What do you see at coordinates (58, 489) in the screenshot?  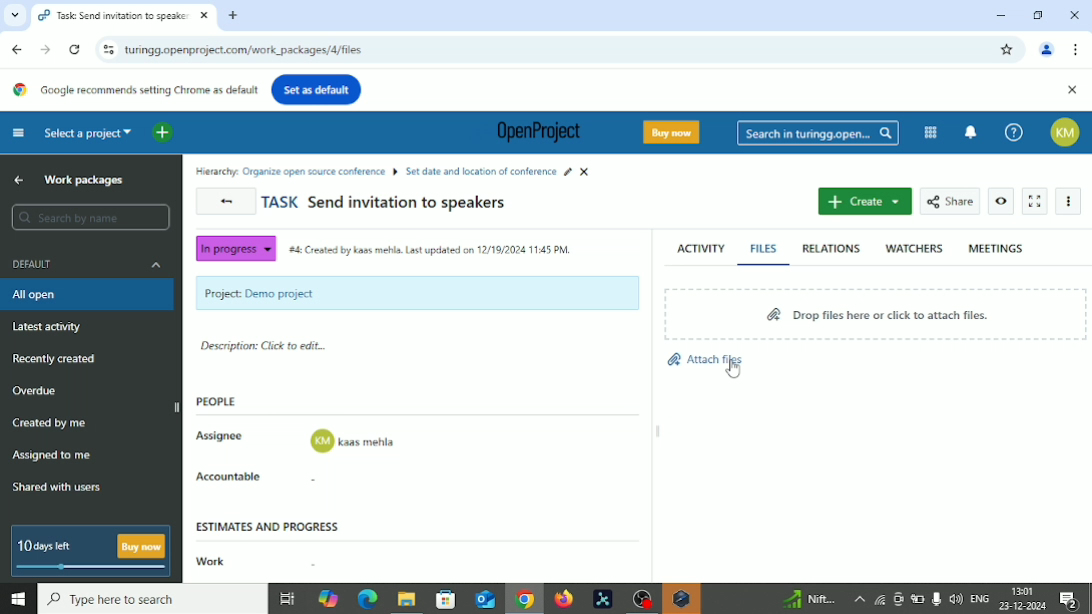 I see `Shared with users` at bounding box center [58, 489].